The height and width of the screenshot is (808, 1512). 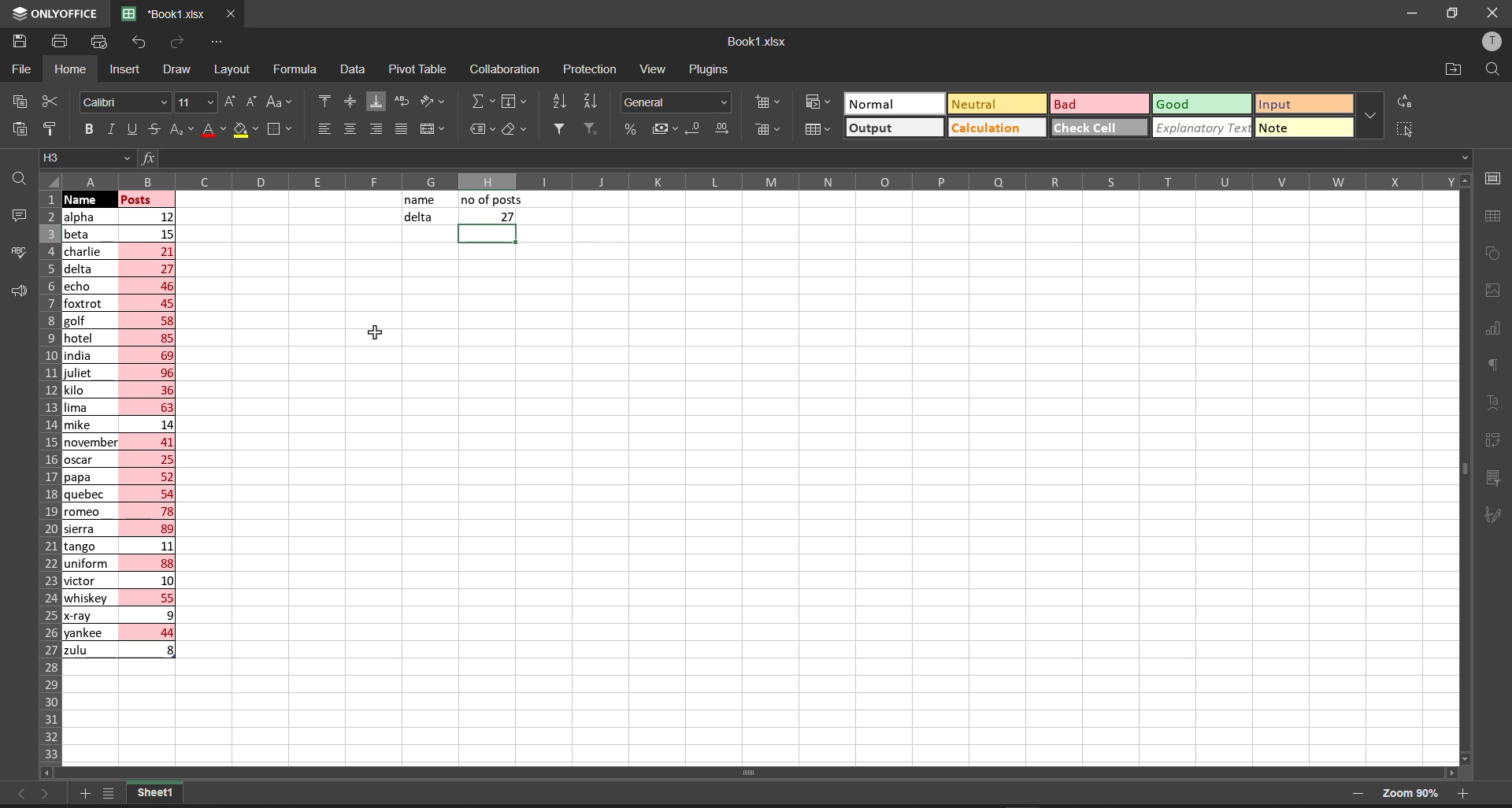 I want to click on replace, so click(x=1406, y=101).